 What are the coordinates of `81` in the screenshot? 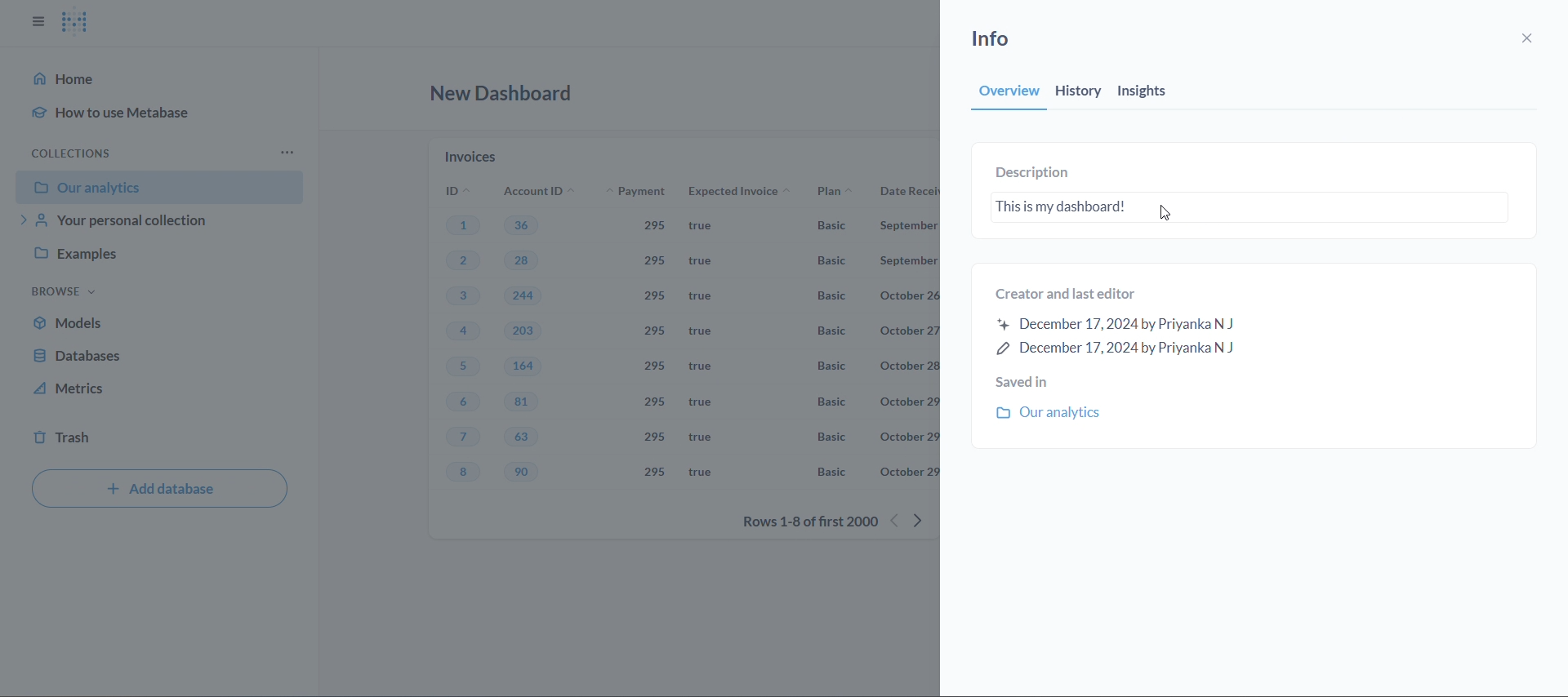 It's located at (523, 402).